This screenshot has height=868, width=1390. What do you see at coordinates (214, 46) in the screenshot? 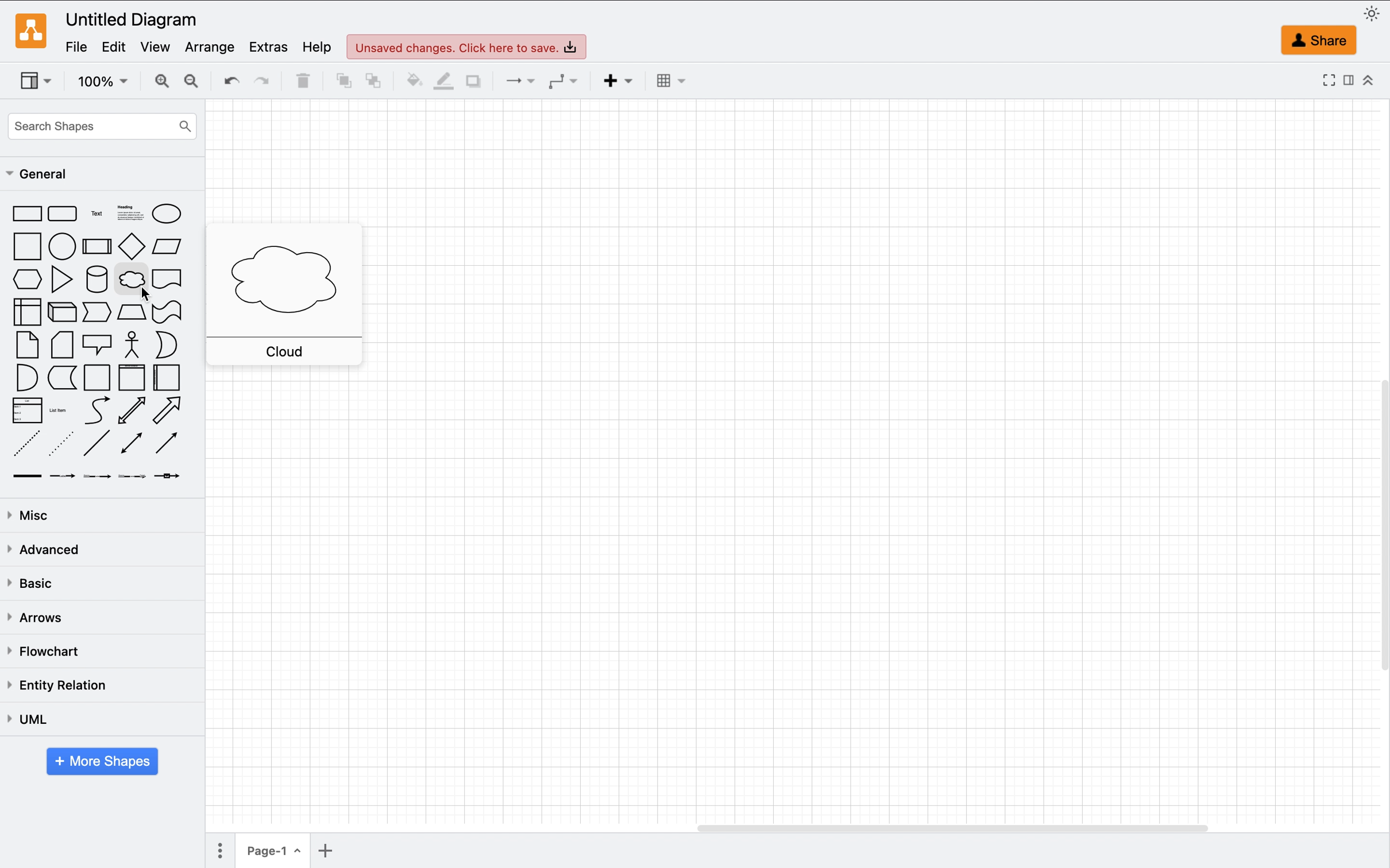
I see `arrange` at bounding box center [214, 46].